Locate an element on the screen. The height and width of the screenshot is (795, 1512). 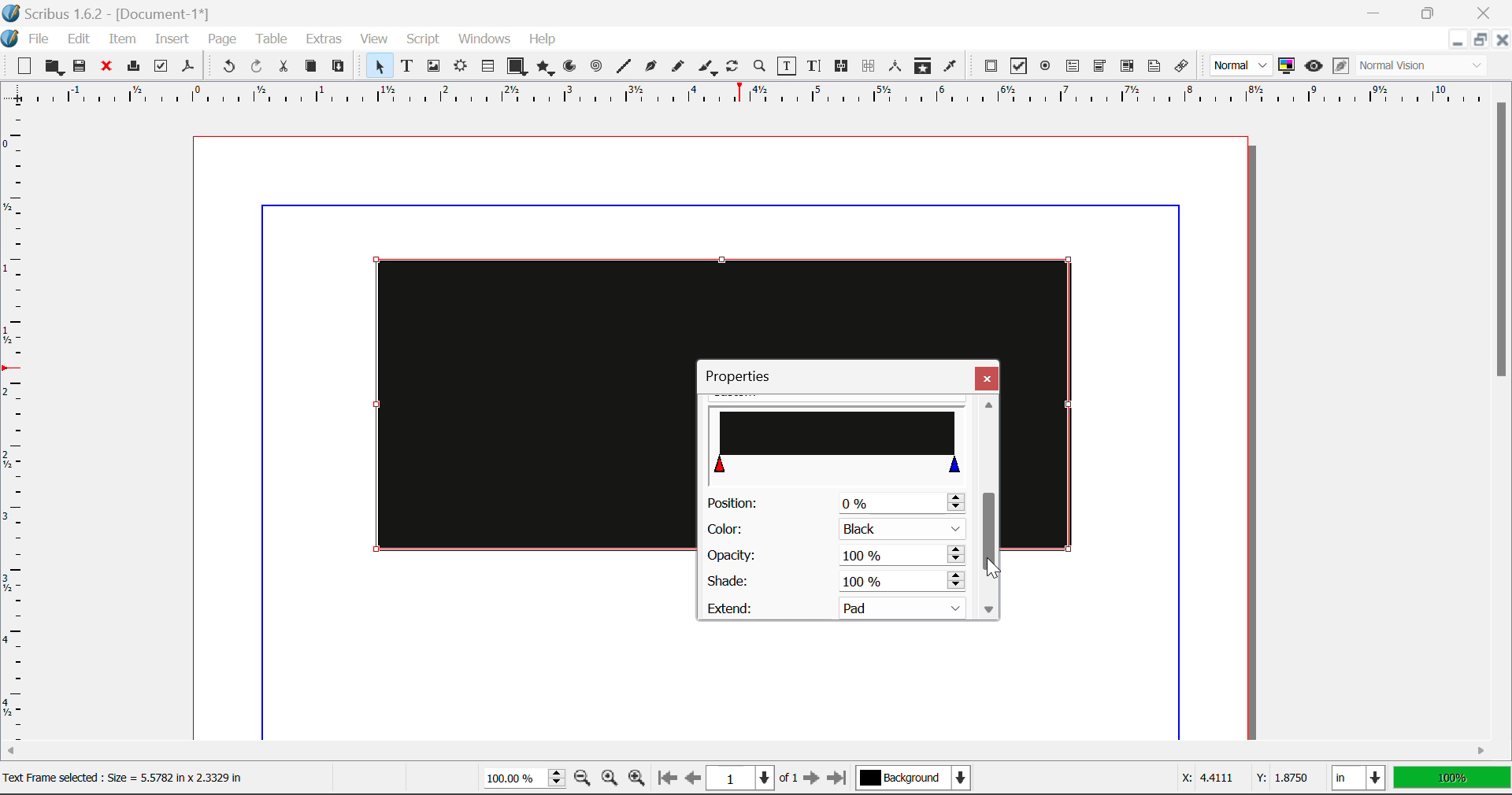
Calligraphic Line is located at coordinates (709, 69).